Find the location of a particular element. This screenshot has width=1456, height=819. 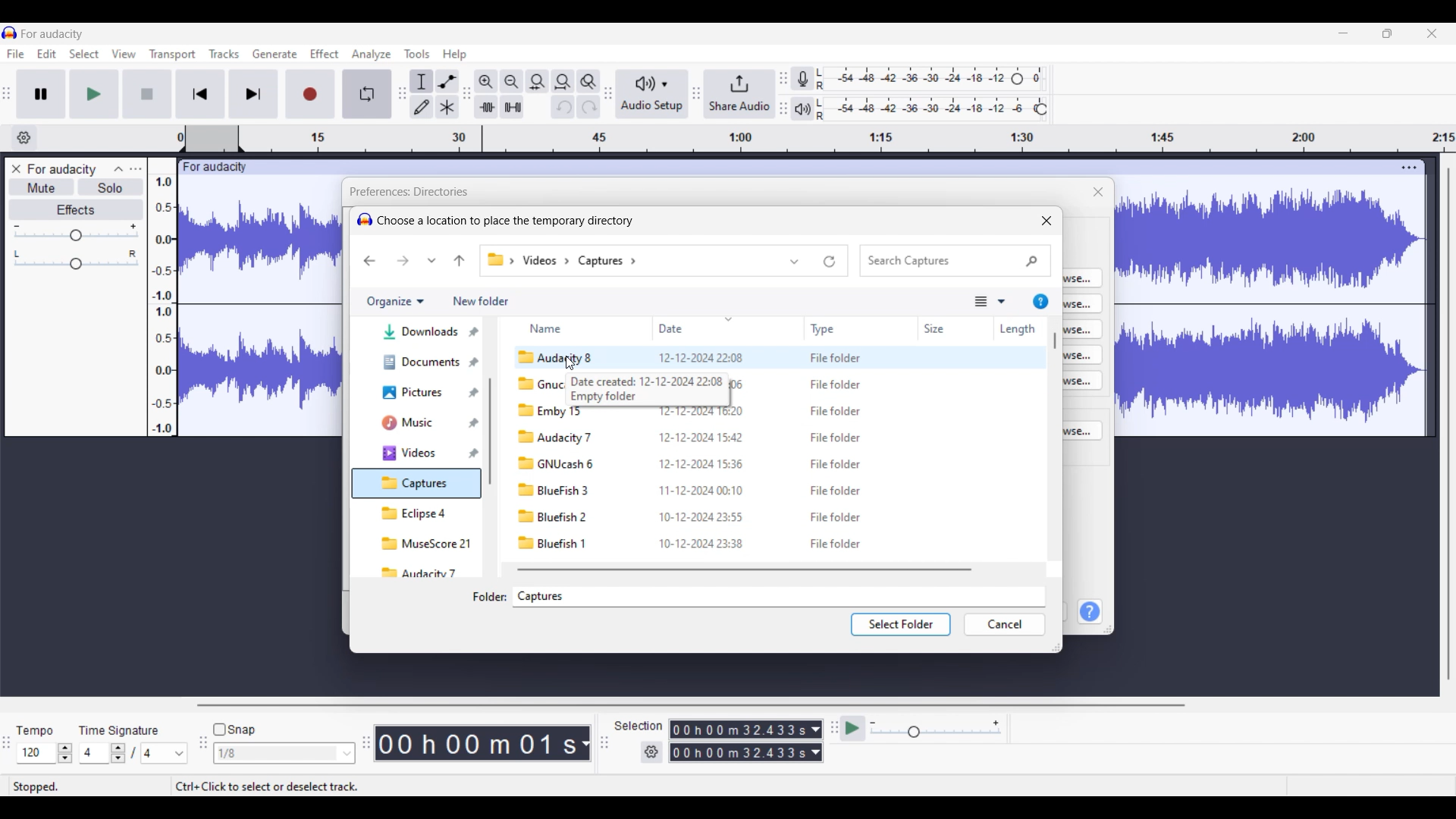

Help menu is located at coordinates (455, 55).